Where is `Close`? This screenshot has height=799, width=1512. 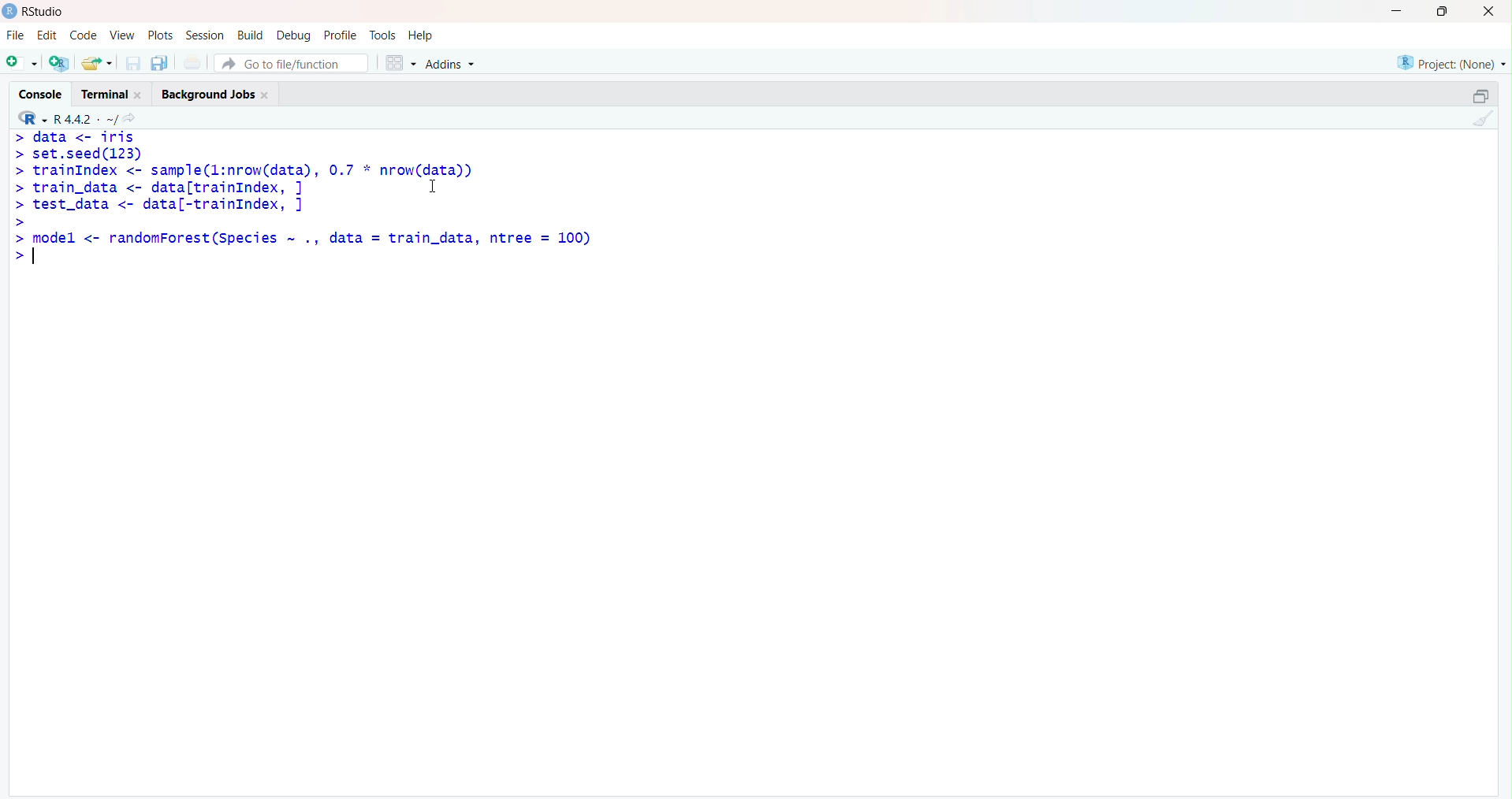
Close is located at coordinates (1489, 13).